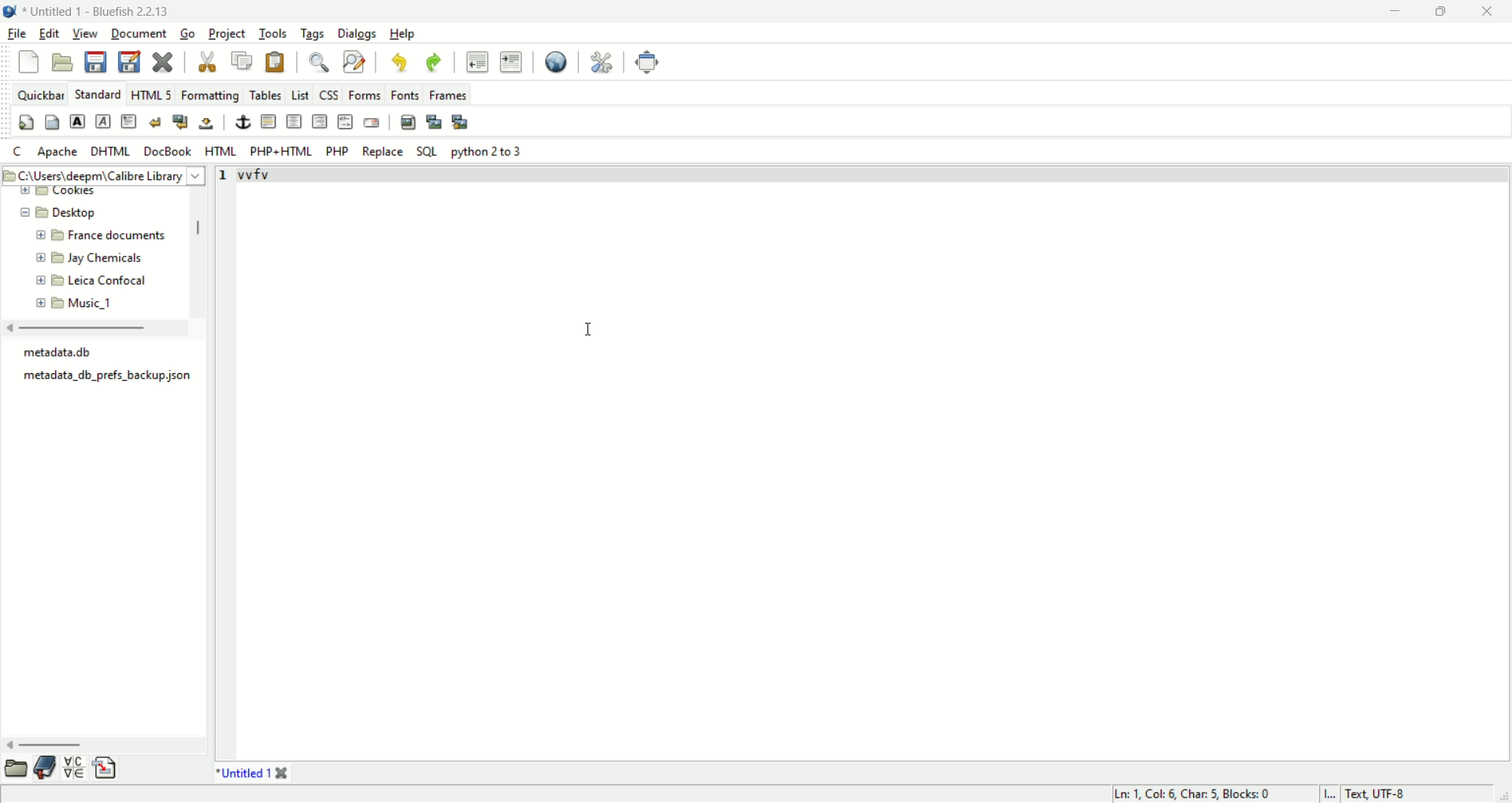 Image resolution: width=1512 pixels, height=803 pixels. I want to click on insert thumbnail, so click(435, 121).